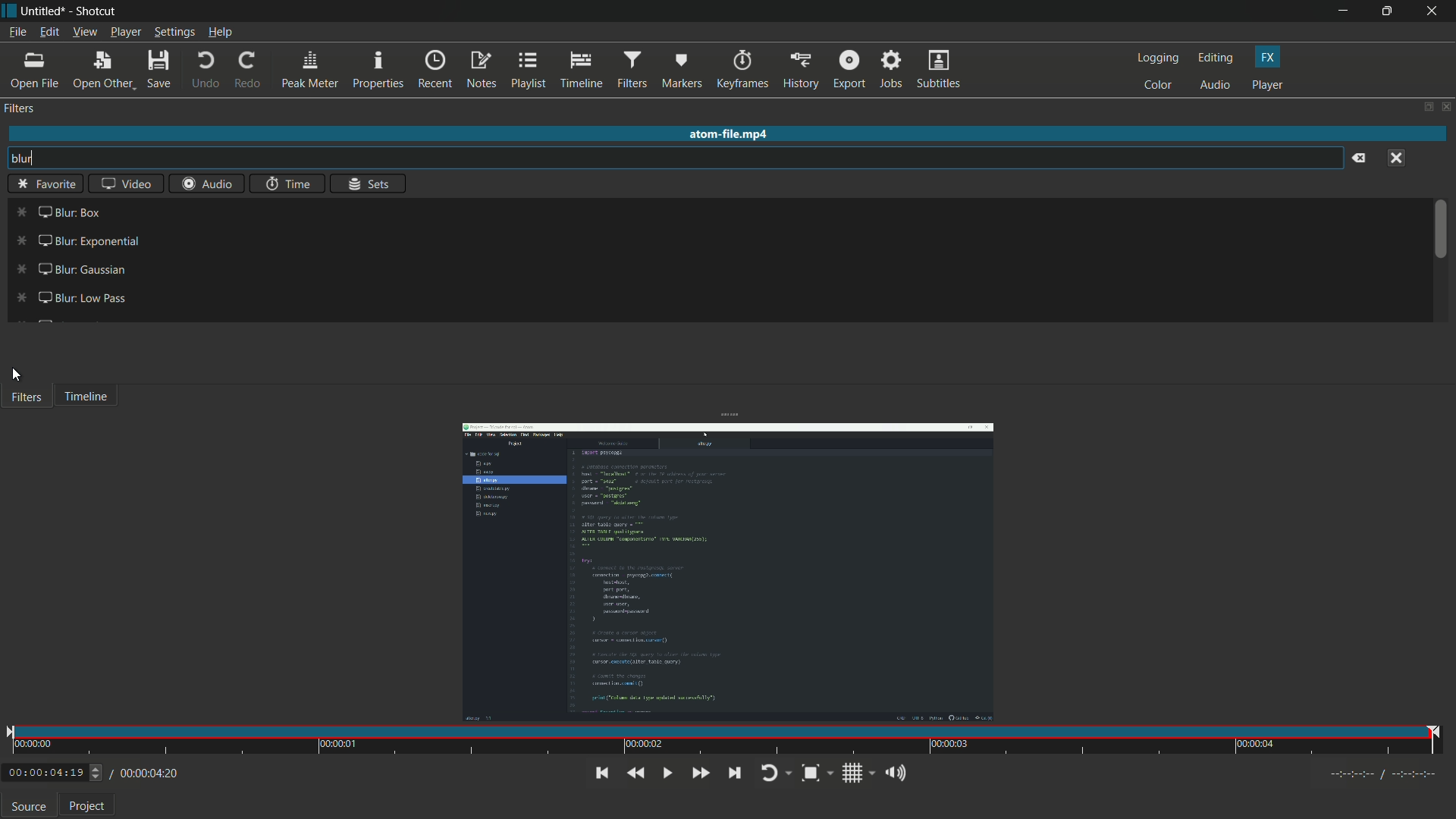  I want to click on open other, so click(102, 73).